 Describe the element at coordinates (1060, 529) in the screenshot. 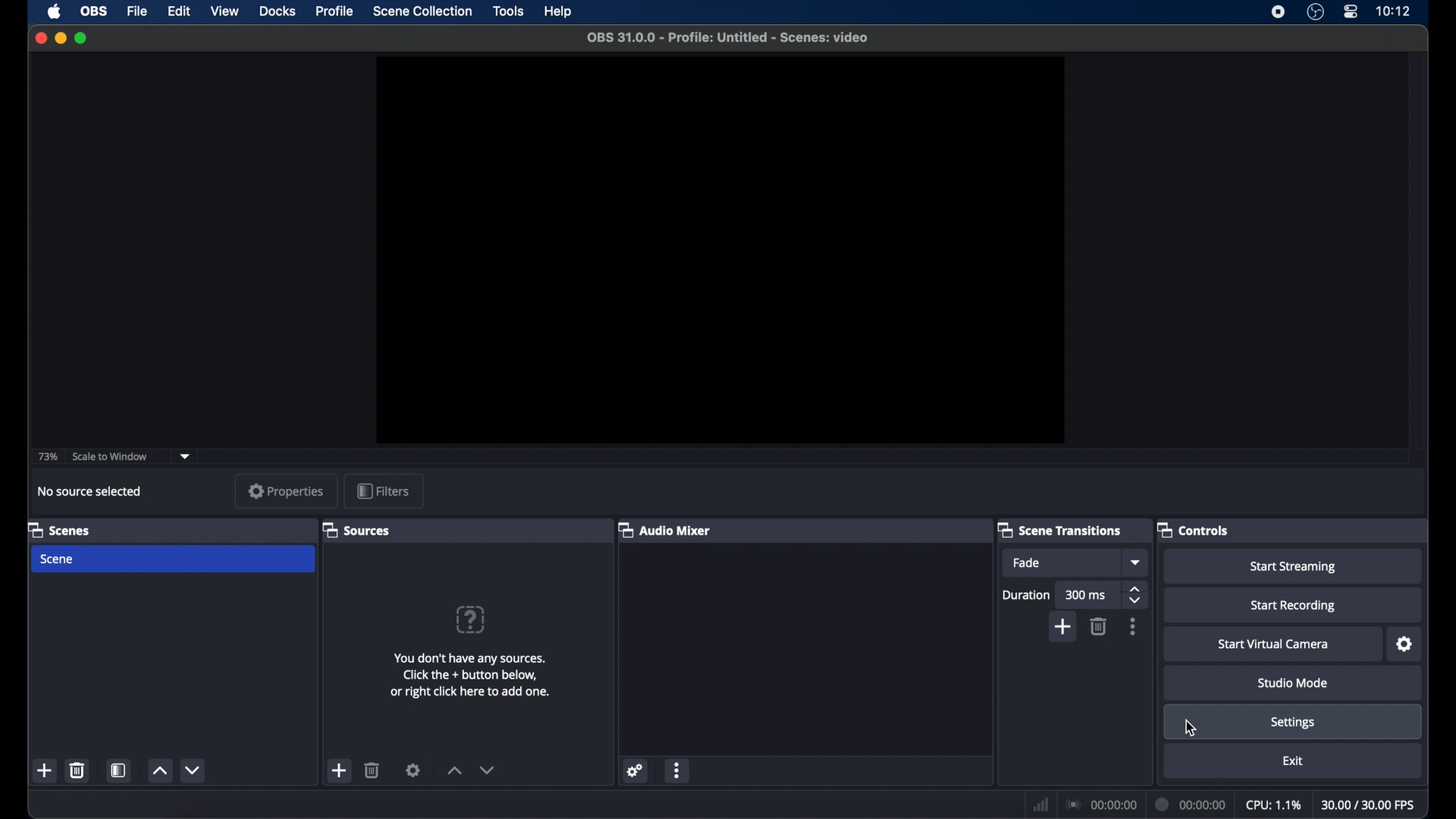

I see `scene transitions` at that location.